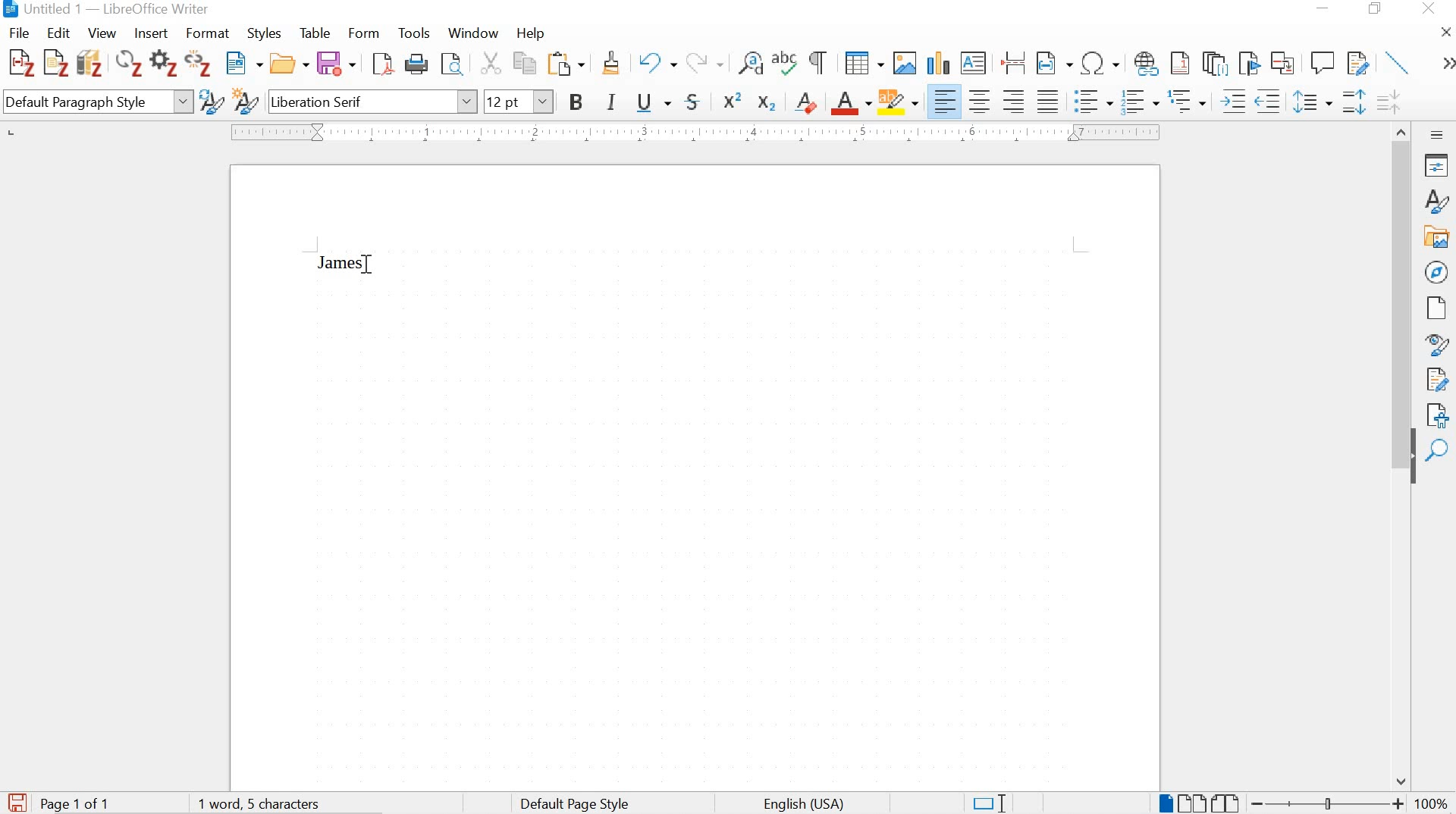 The height and width of the screenshot is (814, 1456). I want to click on add note, so click(56, 61).